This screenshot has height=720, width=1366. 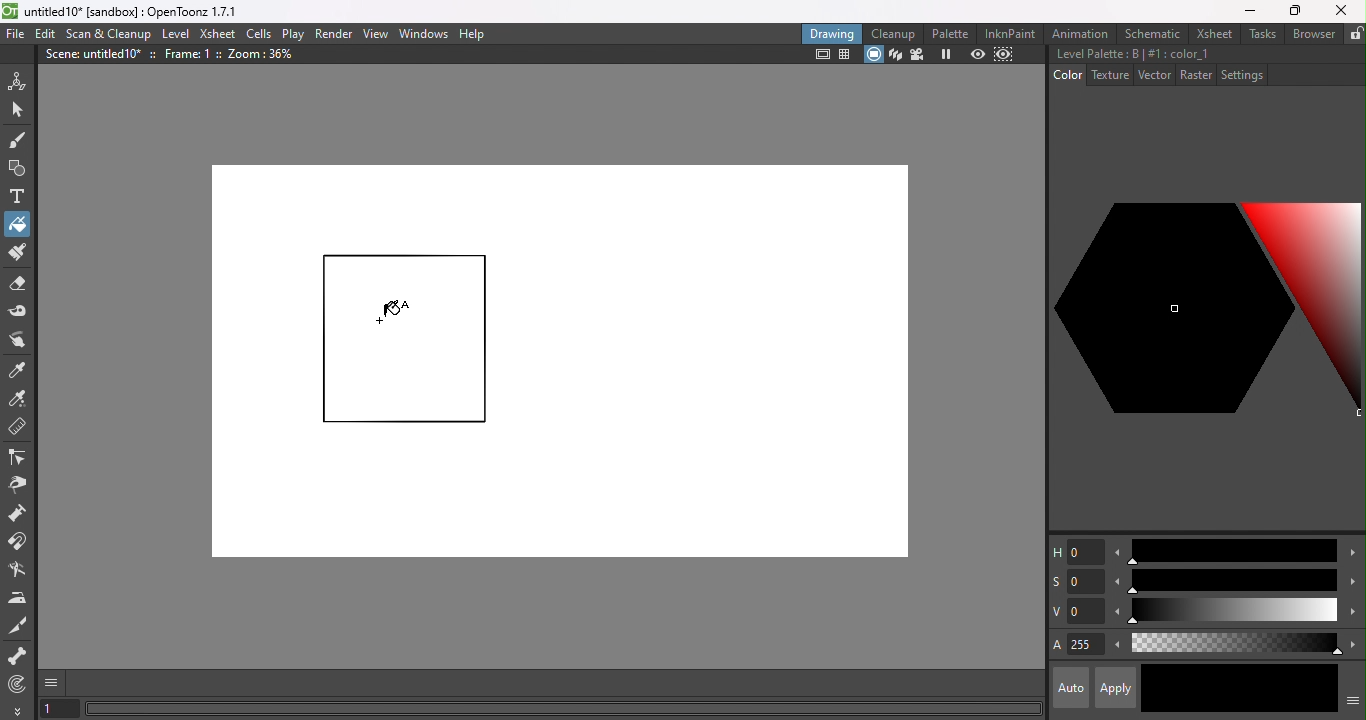 What do you see at coordinates (1117, 552) in the screenshot?
I see `Decrease` at bounding box center [1117, 552].